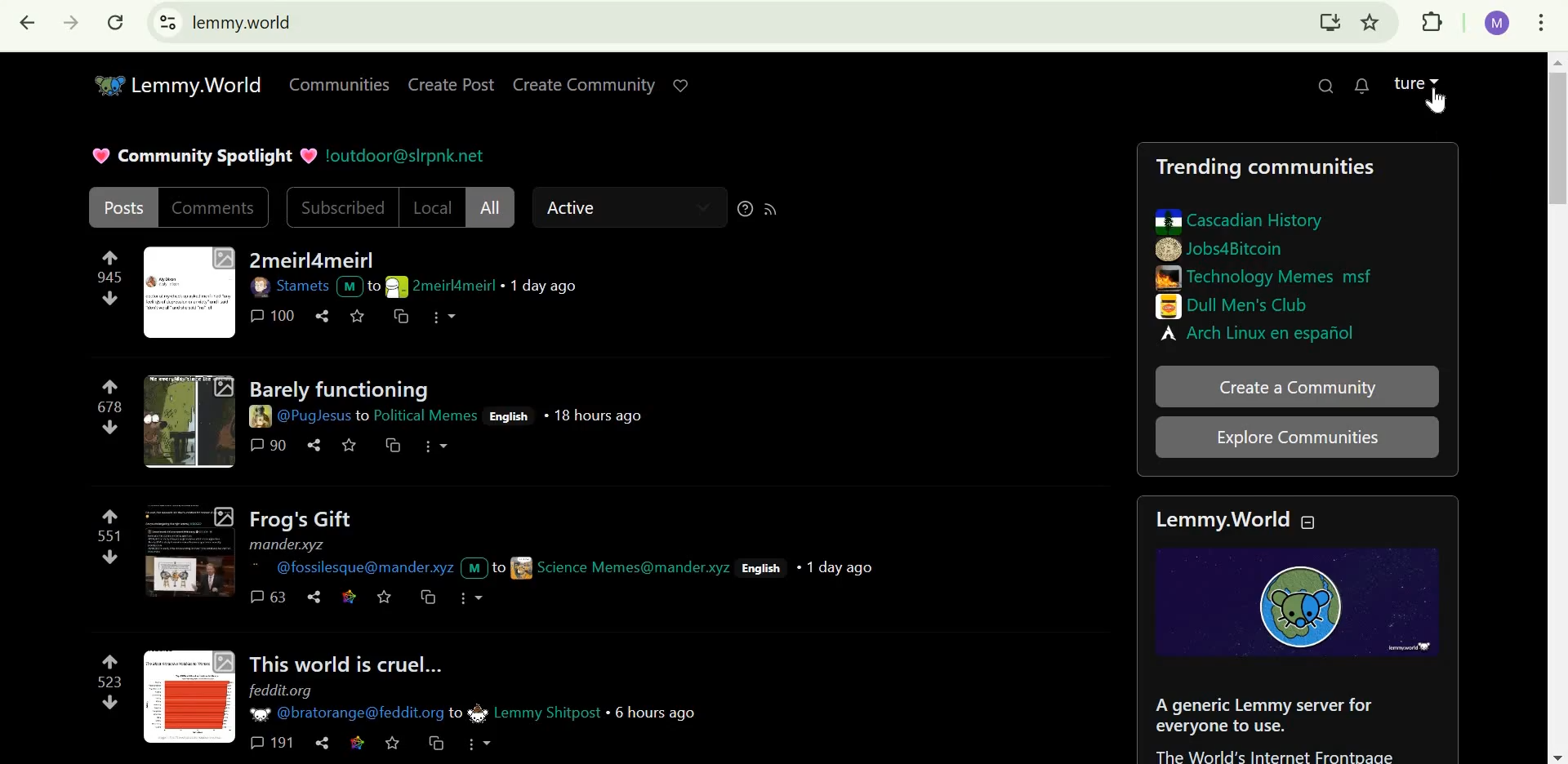 The height and width of the screenshot is (764, 1568). I want to click on cursor, so click(1438, 105).